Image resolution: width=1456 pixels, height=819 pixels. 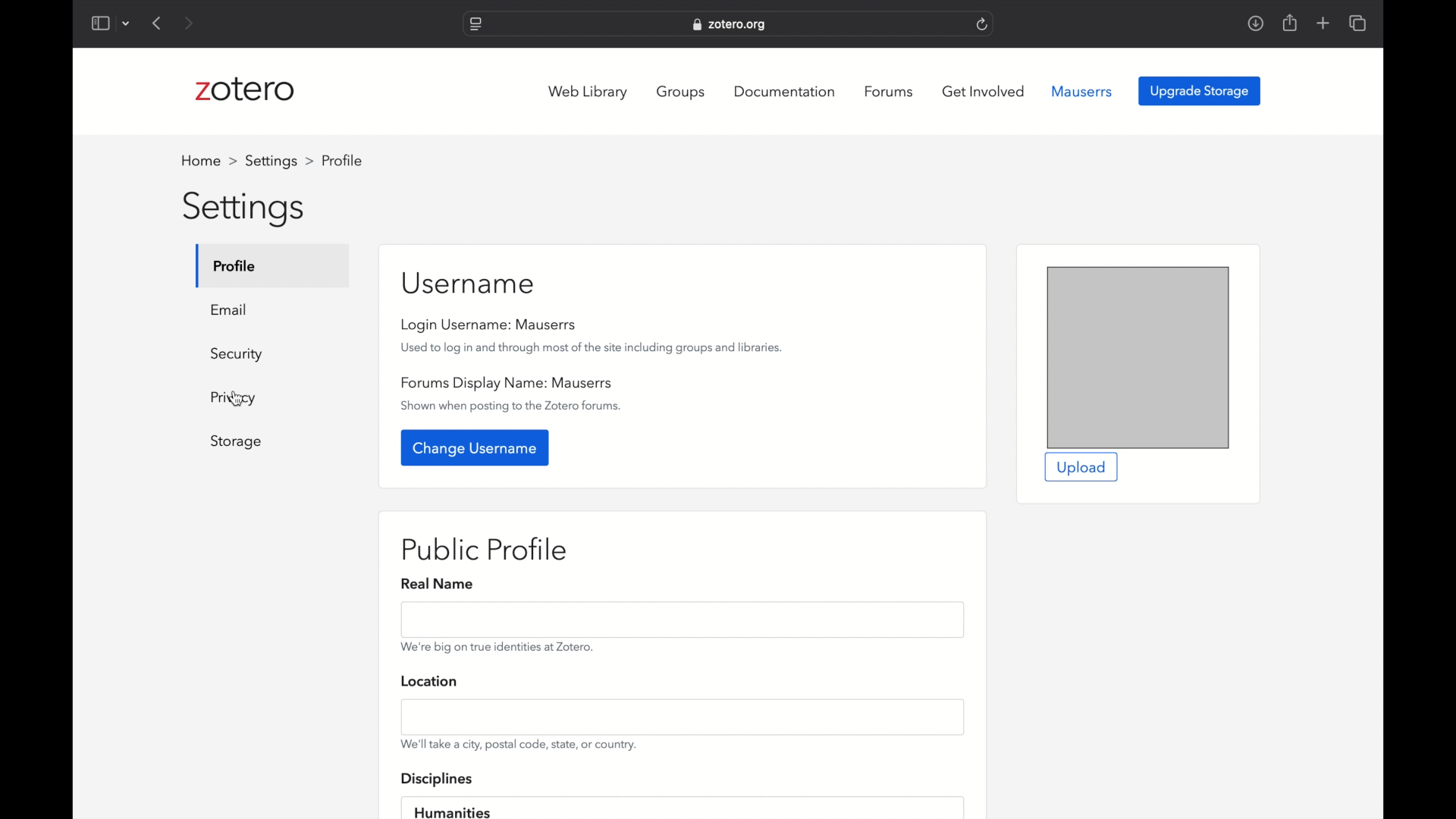 What do you see at coordinates (450, 811) in the screenshot?
I see `humanities` at bounding box center [450, 811].